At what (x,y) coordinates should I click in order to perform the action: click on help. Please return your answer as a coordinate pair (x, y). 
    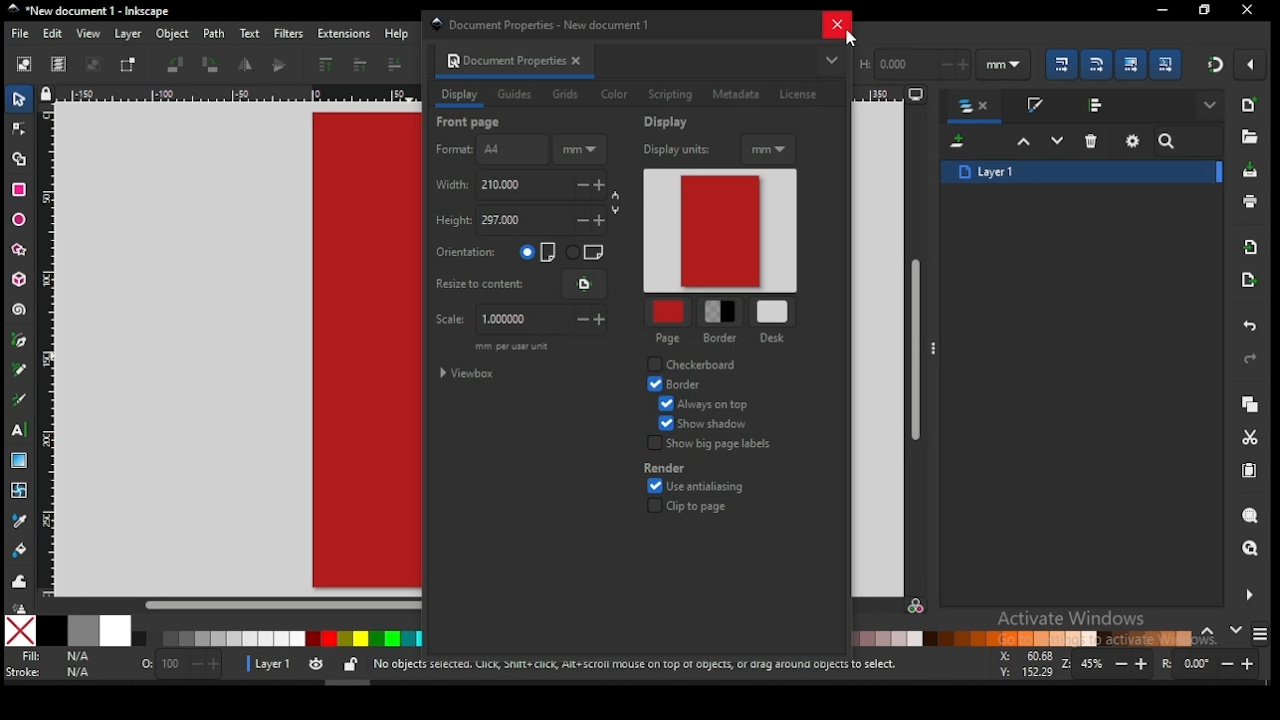
    Looking at the image, I should click on (400, 33).